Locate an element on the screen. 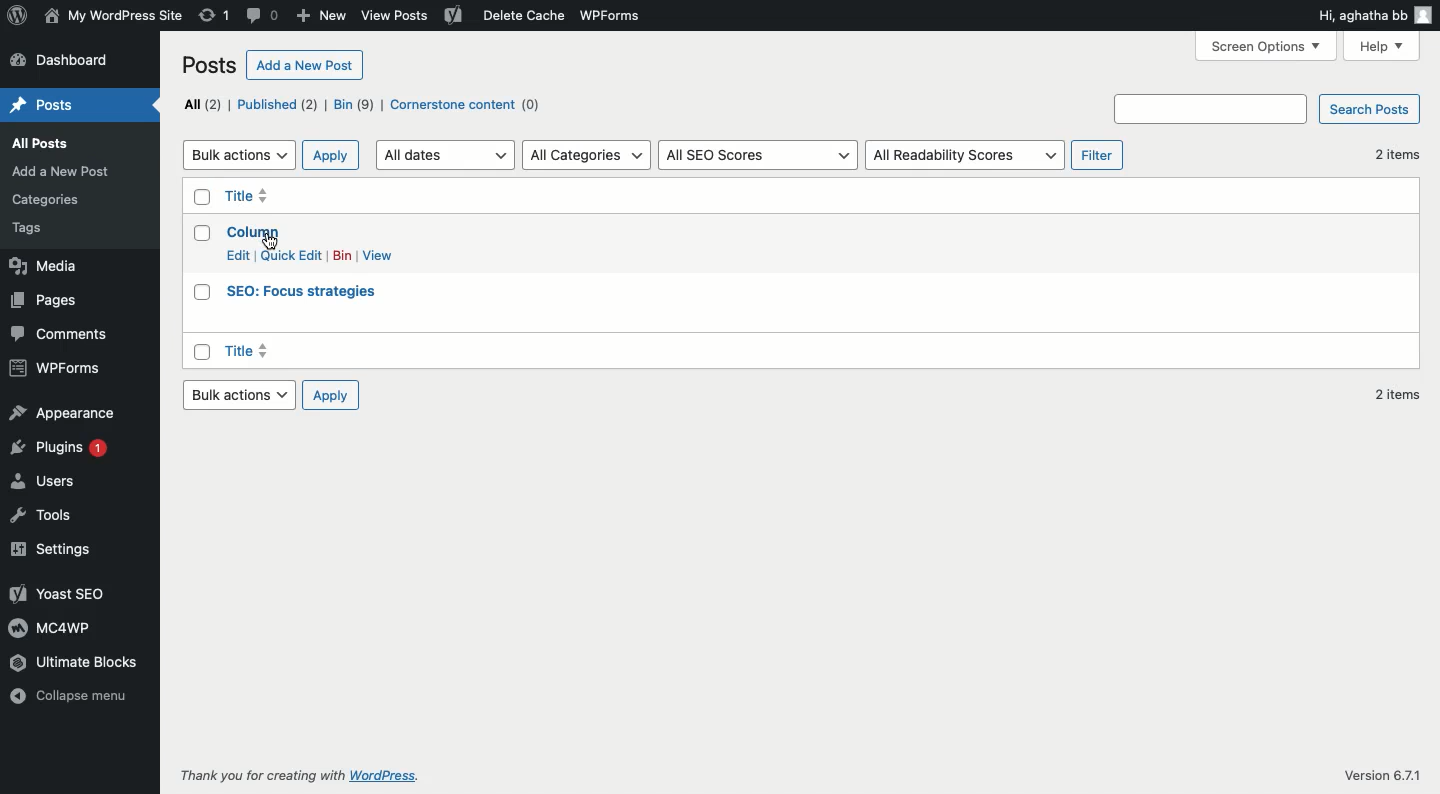 This screenshot has height=794, width=1440. New is located at coordinates (320, 16).